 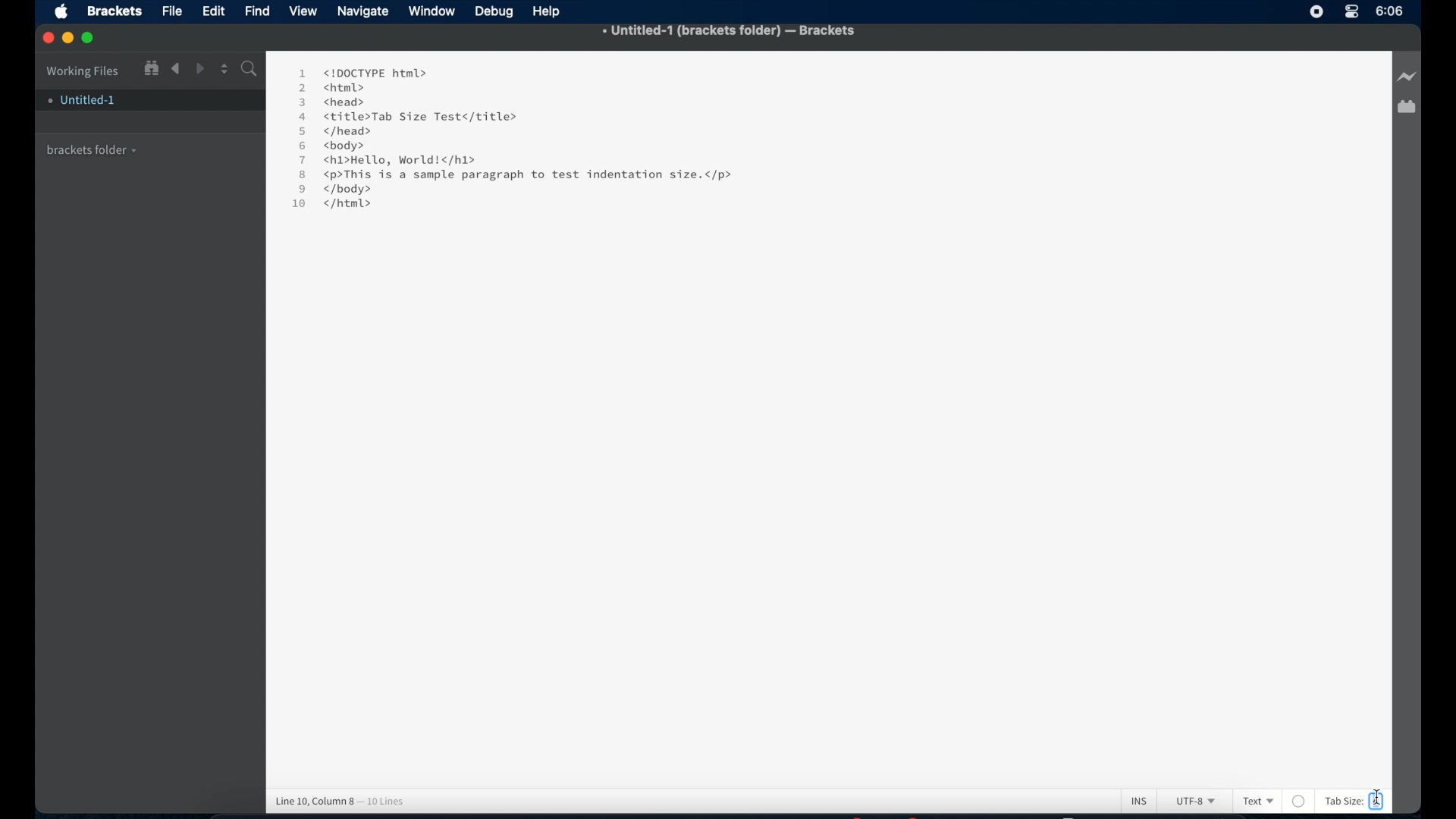 I want to click on View, so click(x=306, y=11).